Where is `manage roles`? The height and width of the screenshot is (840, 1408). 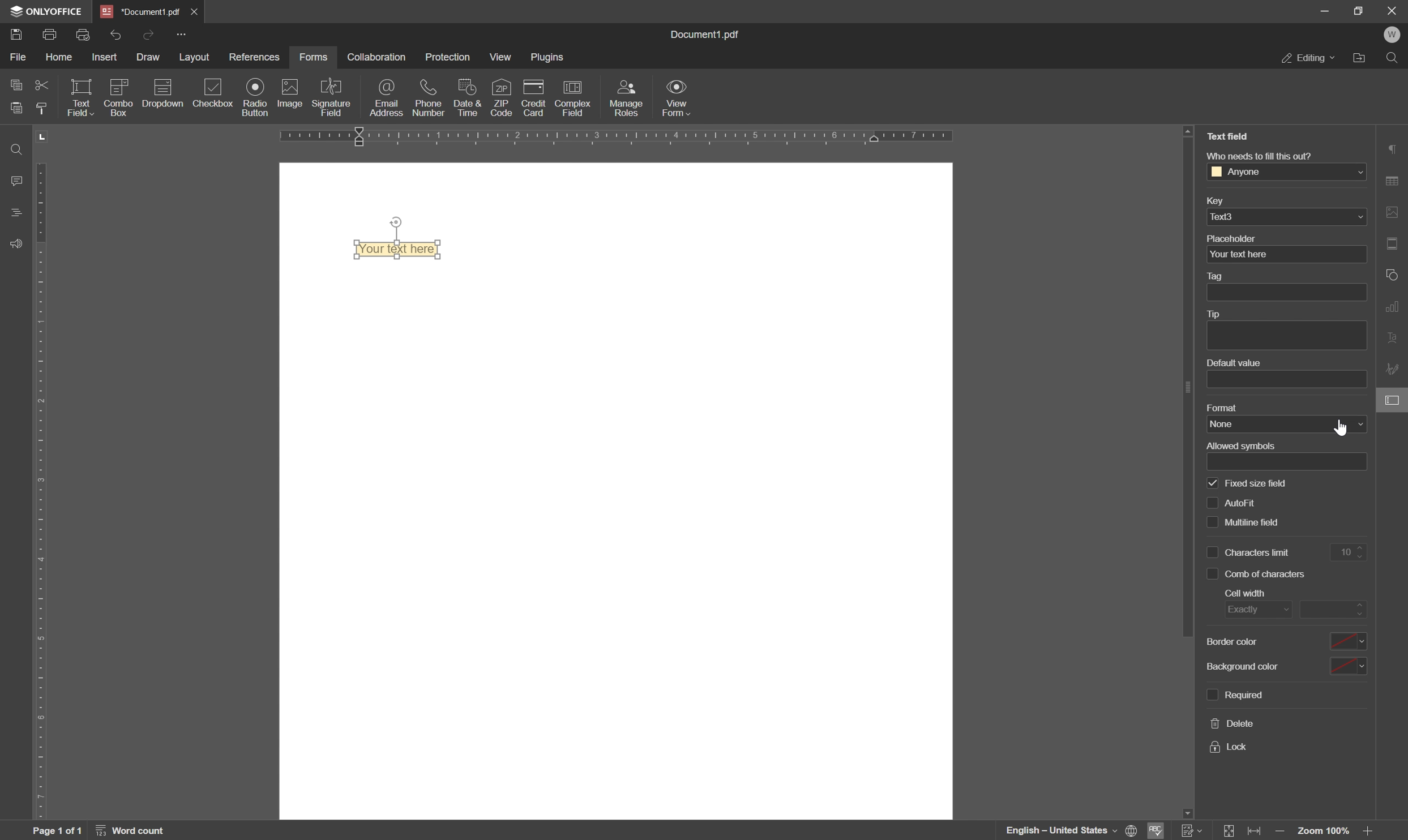 manage roles is located at coordinates (628, 97).